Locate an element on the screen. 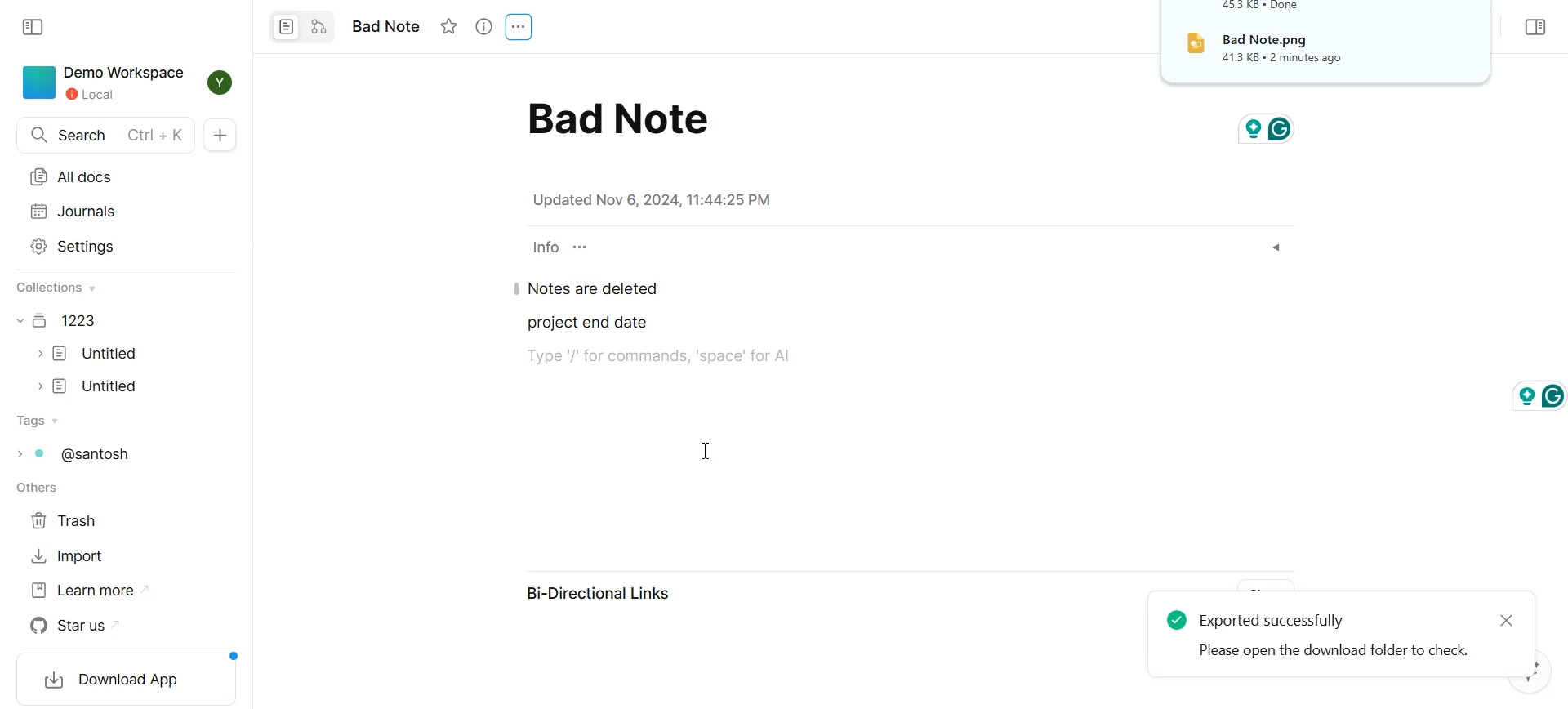 This screenshot has width=1568, height=709. Document is located at coordinates (59, 320).